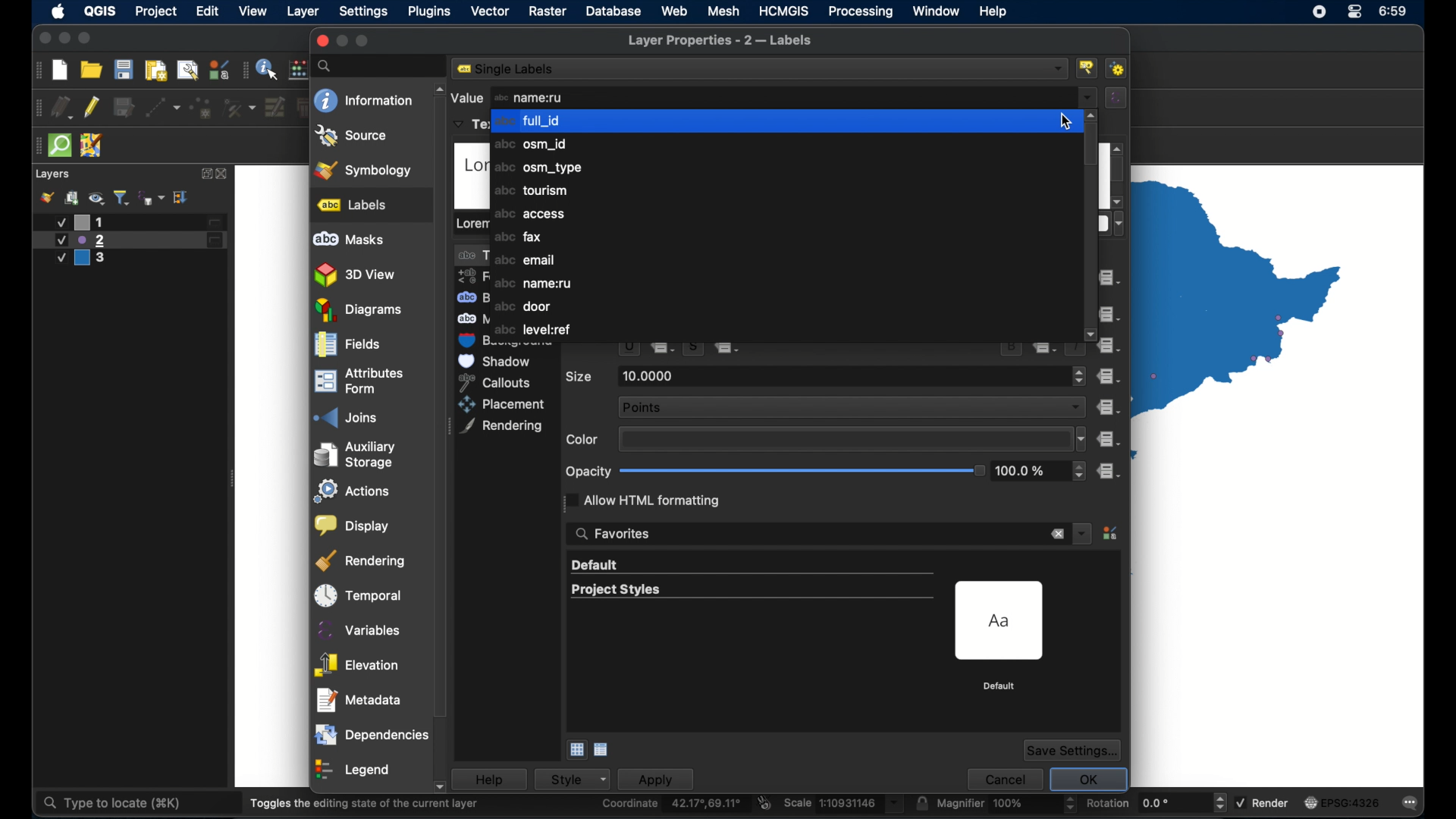 Image resolution: width=1456 pixels, height=819 pixels. What do you see at coordinates (354, 767) in the screenshot?
I see `legend` at bounding box center [354, 767].